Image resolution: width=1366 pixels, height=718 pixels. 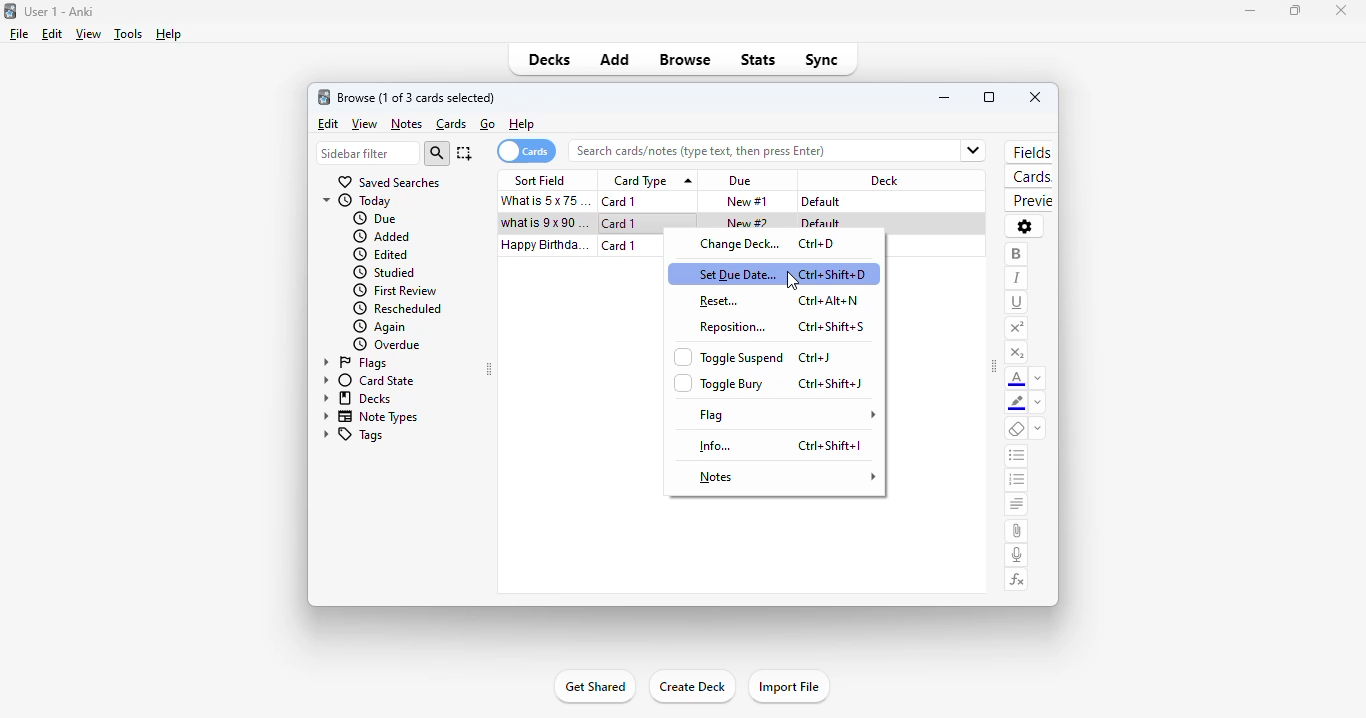 What do you see at coordinates (1031, 201) in the screenshot?
I see `preview` at bounding box center [1031, 201].